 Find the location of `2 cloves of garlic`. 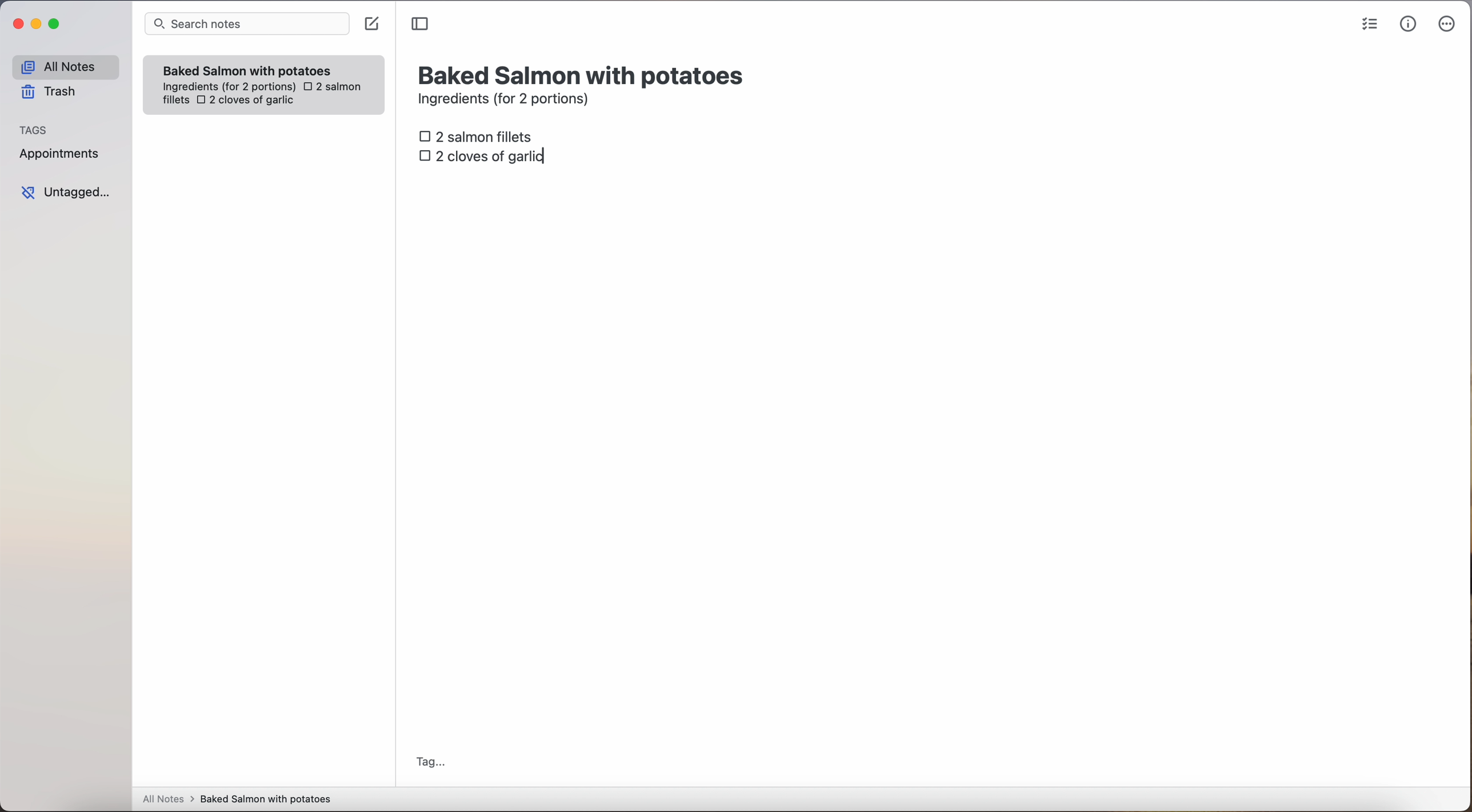

2 cloves of garlic is located at coordinates (485, 157).